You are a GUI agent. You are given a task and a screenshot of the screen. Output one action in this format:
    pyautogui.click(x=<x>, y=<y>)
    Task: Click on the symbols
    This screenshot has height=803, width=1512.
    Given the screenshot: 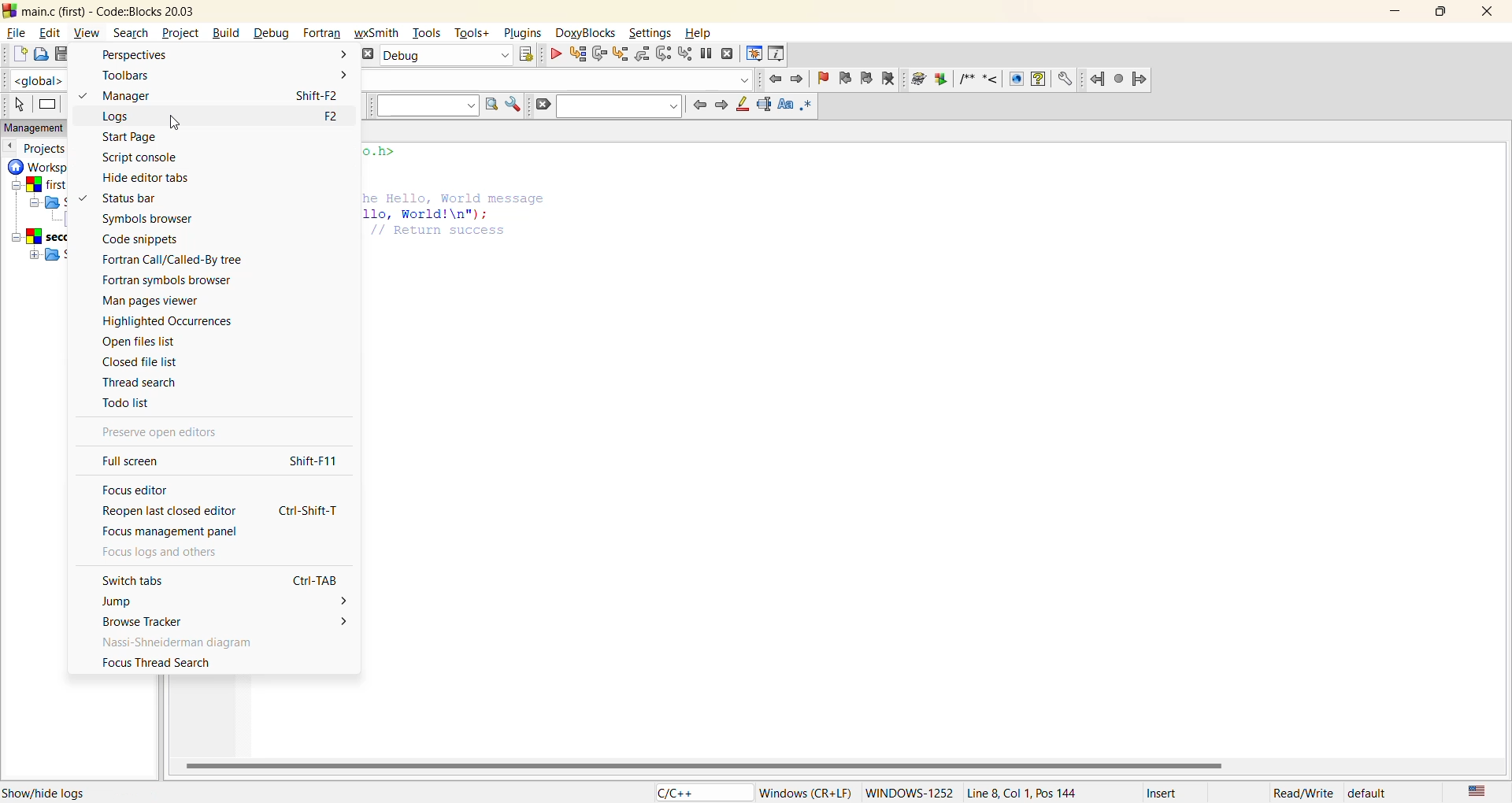 What is the action you would take?
    pyautogui.click(x=980, y=78)
    